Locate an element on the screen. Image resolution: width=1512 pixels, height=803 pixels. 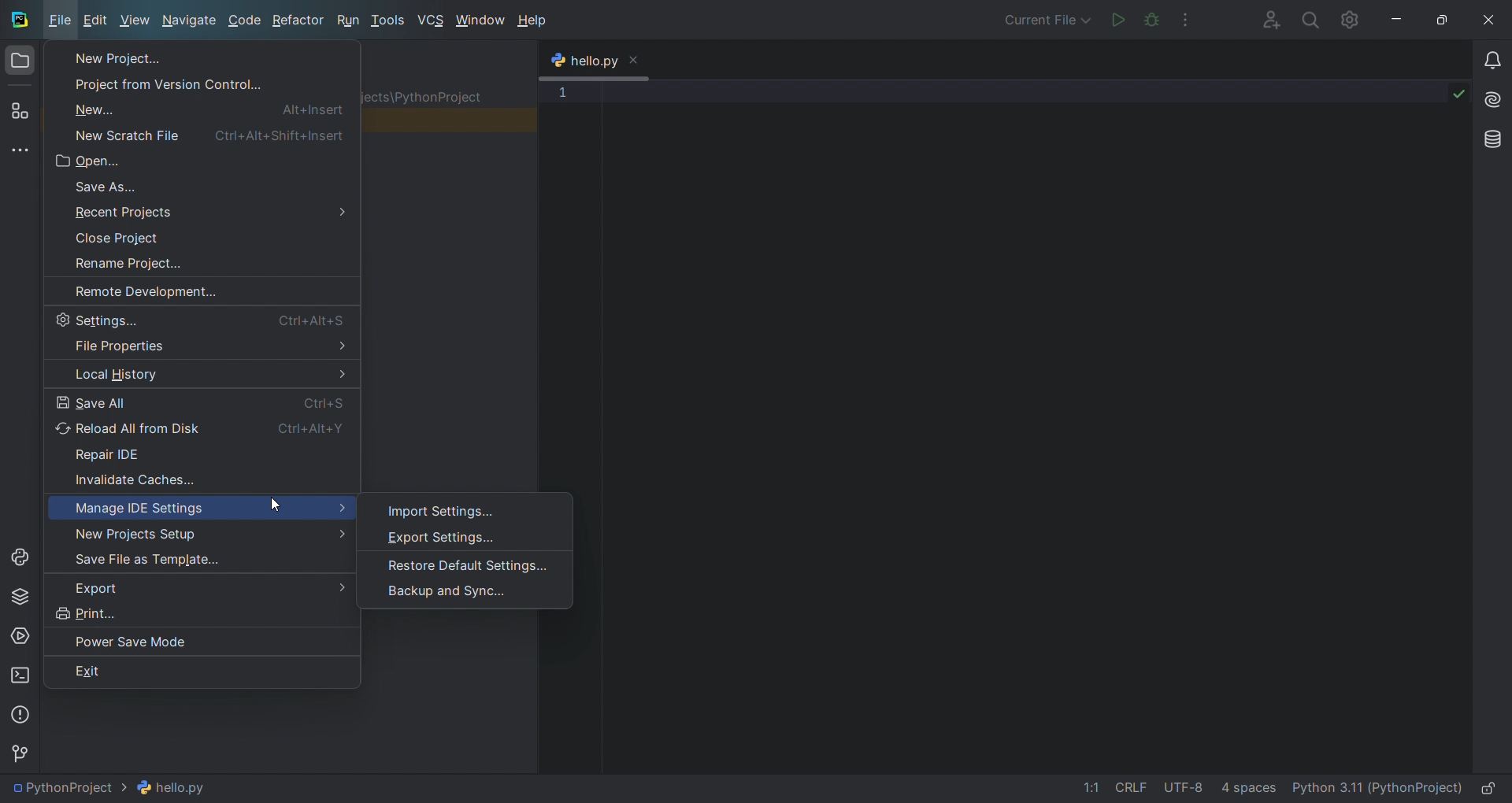
reload is located at coordinates (200, 428).